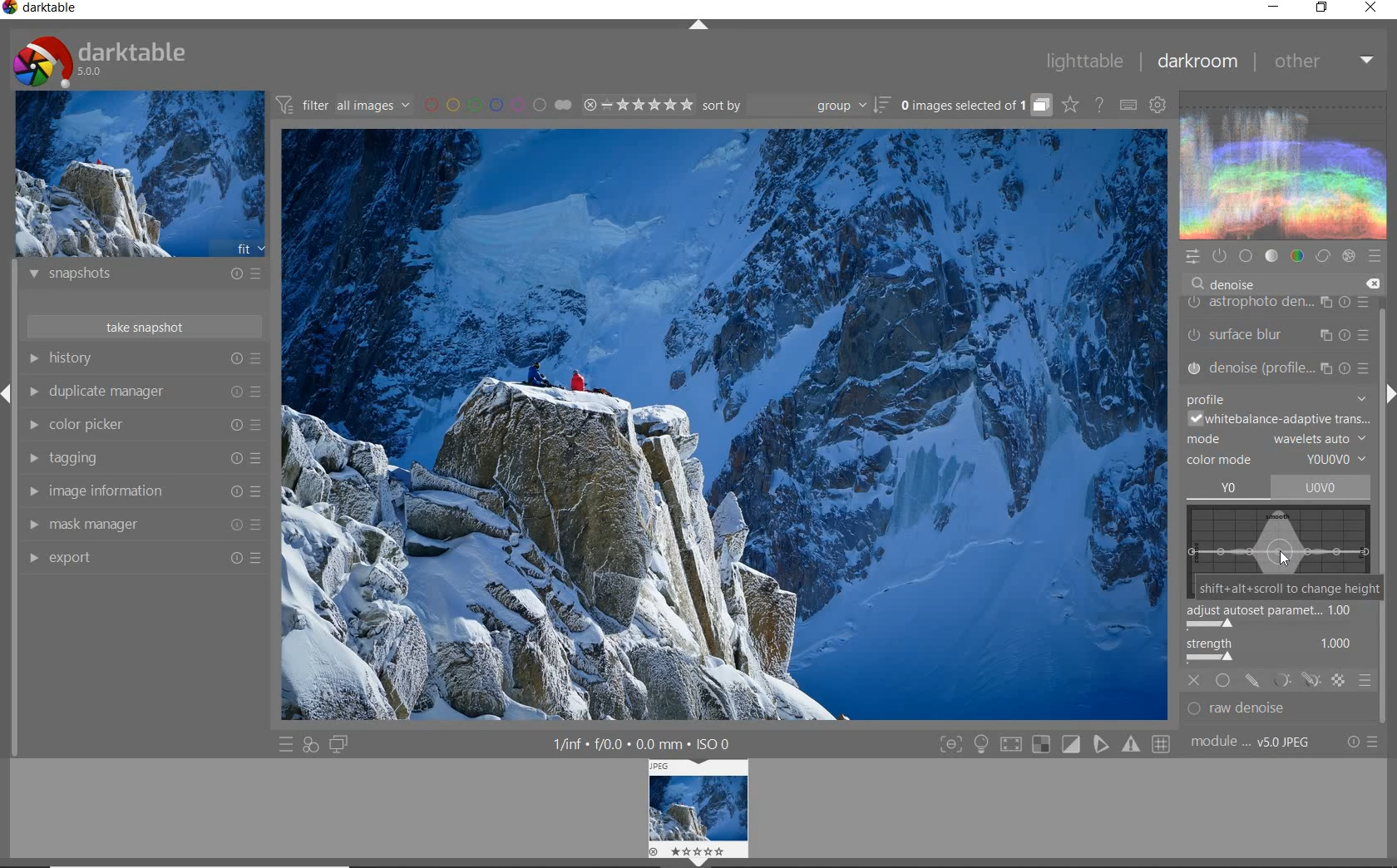 The height and width of the screenshot is (868, 1397). What do you see at coordinates (700, 812) in the screenshot?
I see `IMAGE` at bounding box center [700, 812].